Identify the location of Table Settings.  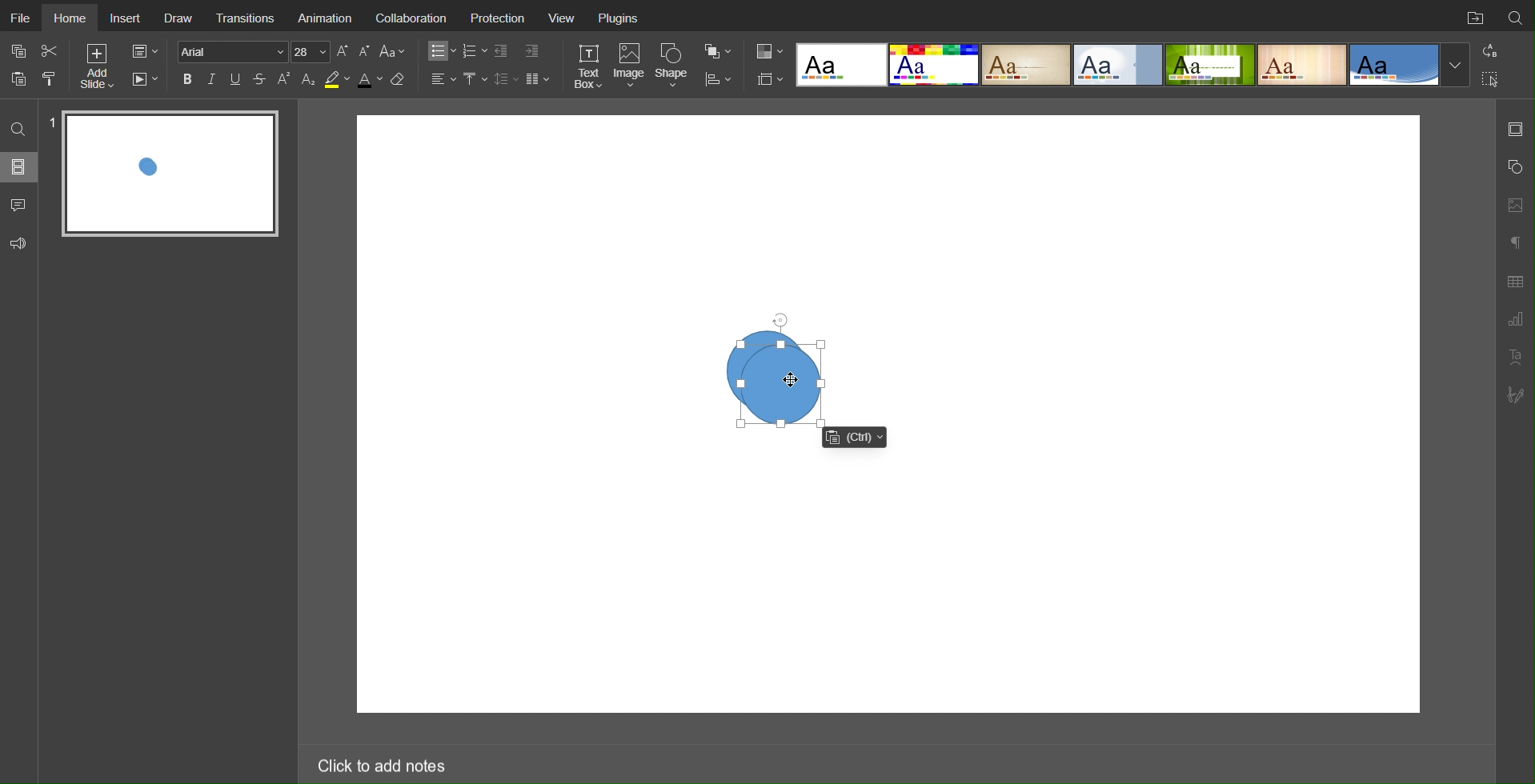
(1515, 280).